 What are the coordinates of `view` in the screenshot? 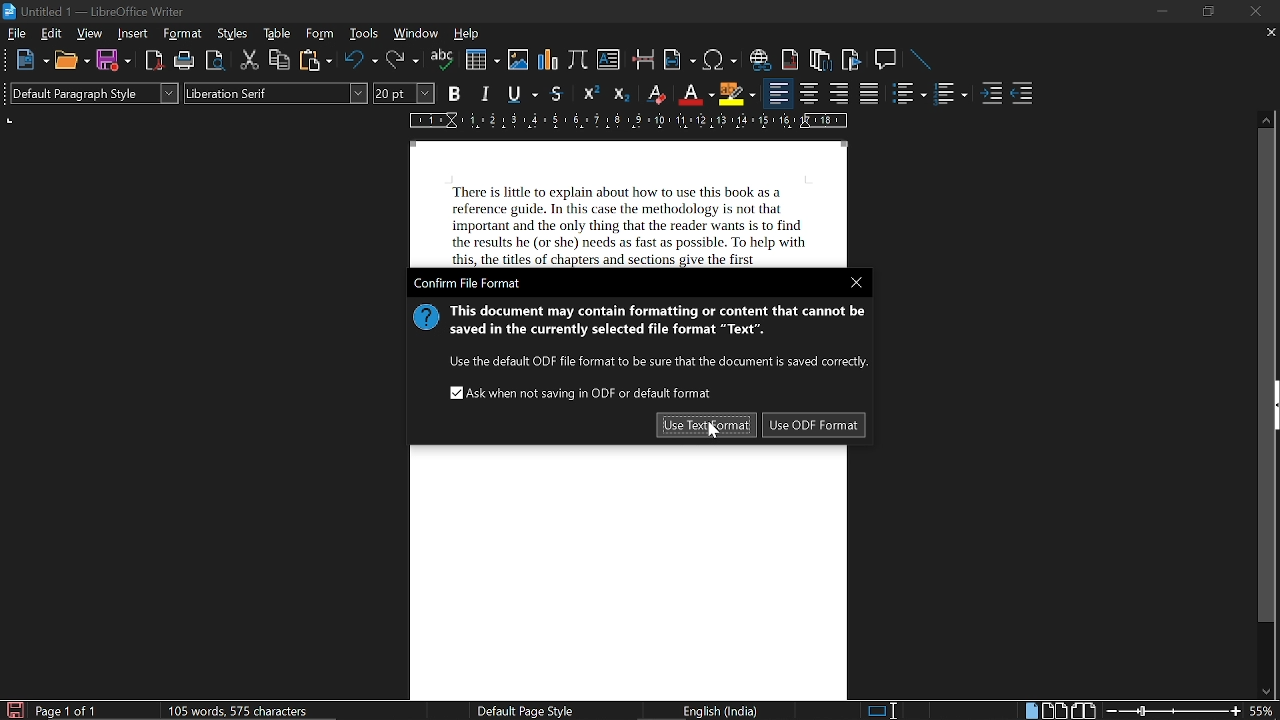 It's located at (90, 33).